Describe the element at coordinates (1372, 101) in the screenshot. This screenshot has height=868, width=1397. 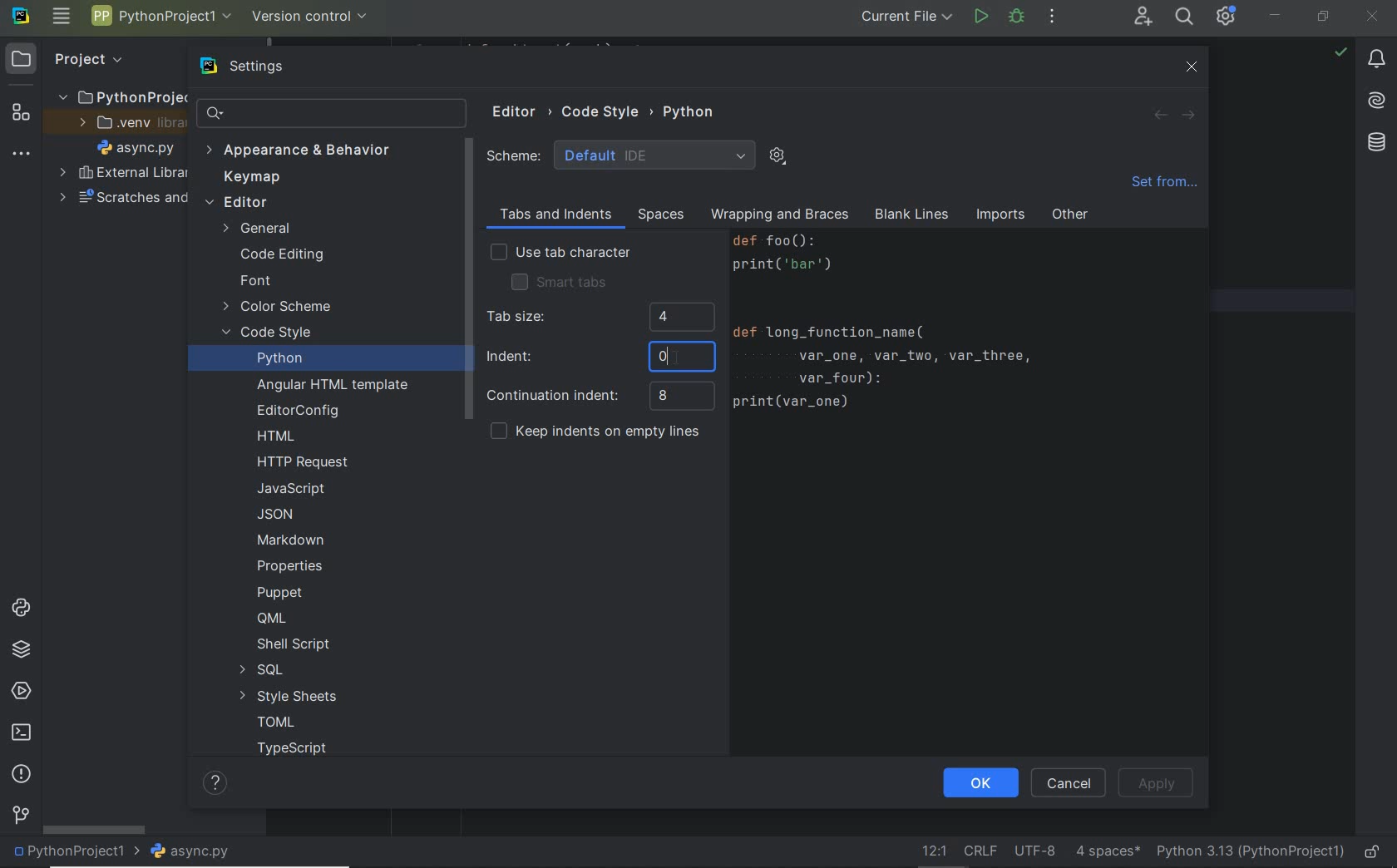
I see `AI Assistant` at that location.